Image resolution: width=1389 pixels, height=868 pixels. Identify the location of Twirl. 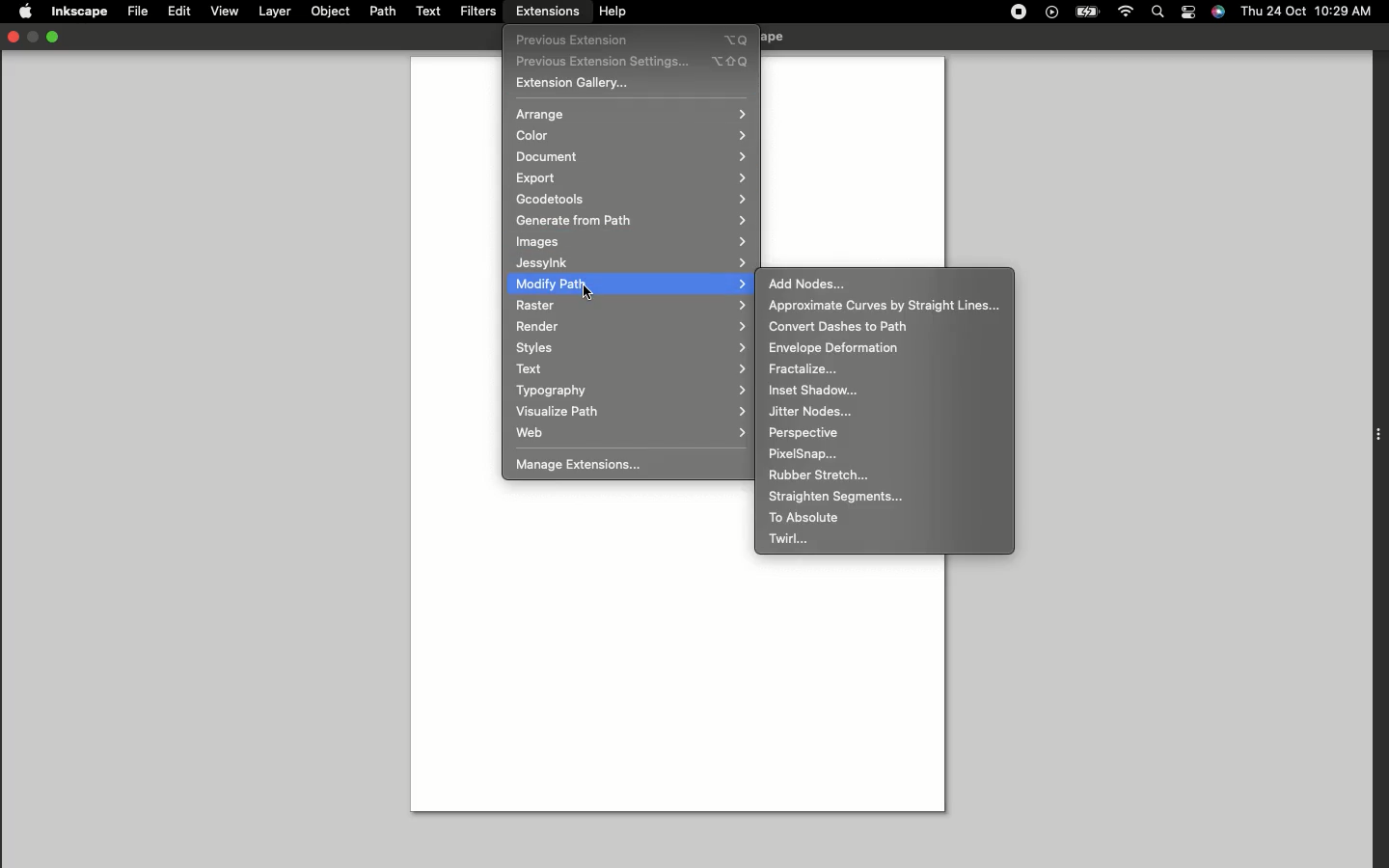
(789, 539).